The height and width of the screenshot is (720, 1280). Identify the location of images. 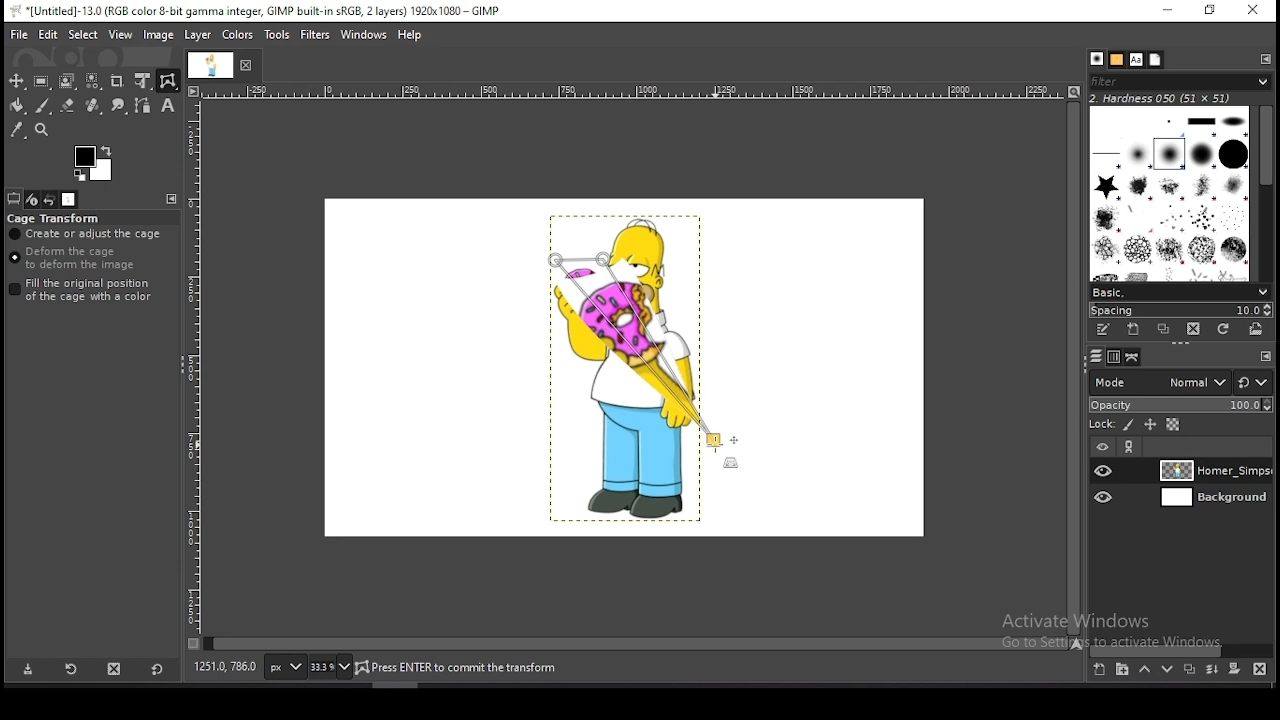
(70, 200).